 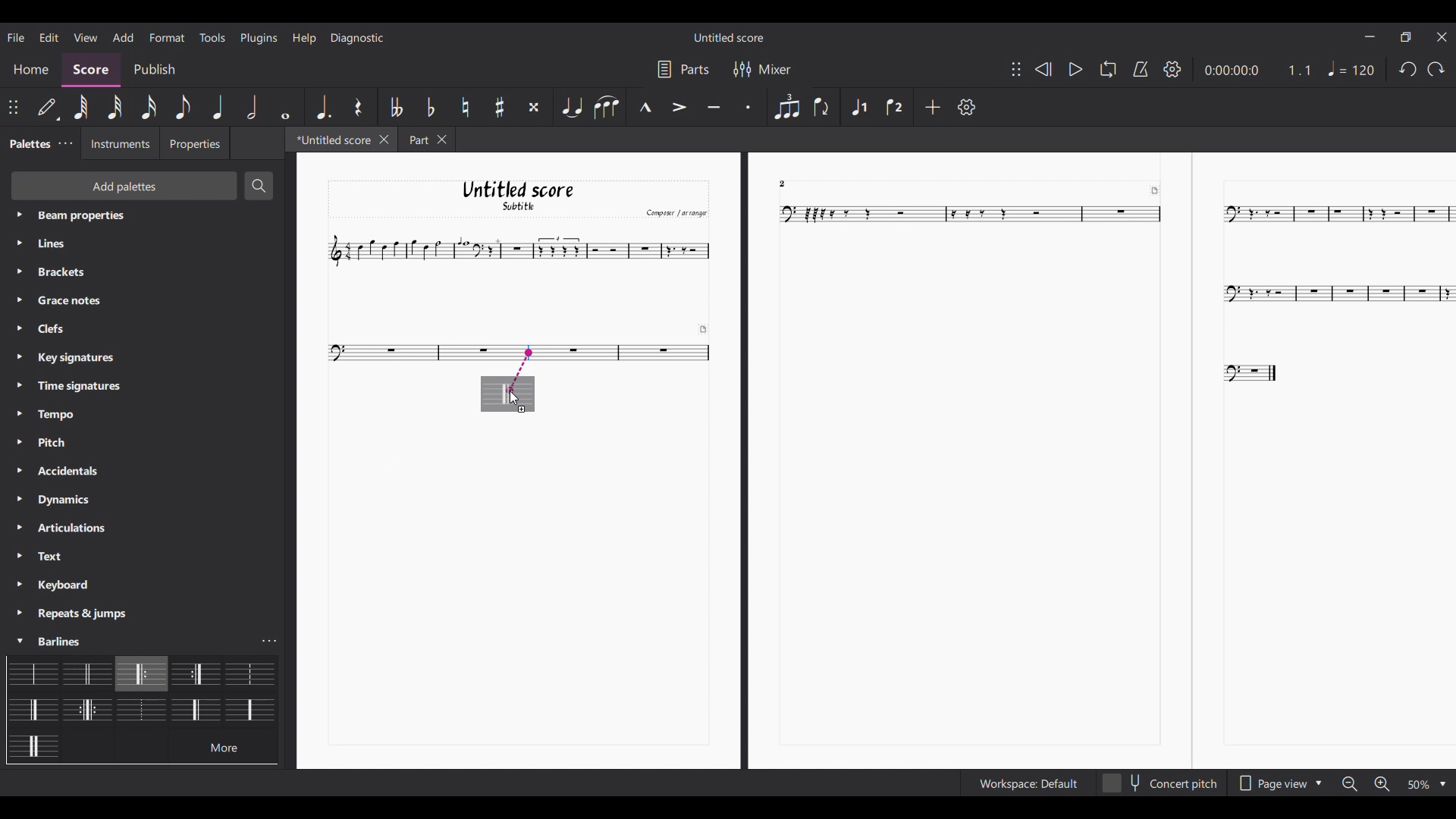 I want to click on Barline options, so click(x=32, y=746).